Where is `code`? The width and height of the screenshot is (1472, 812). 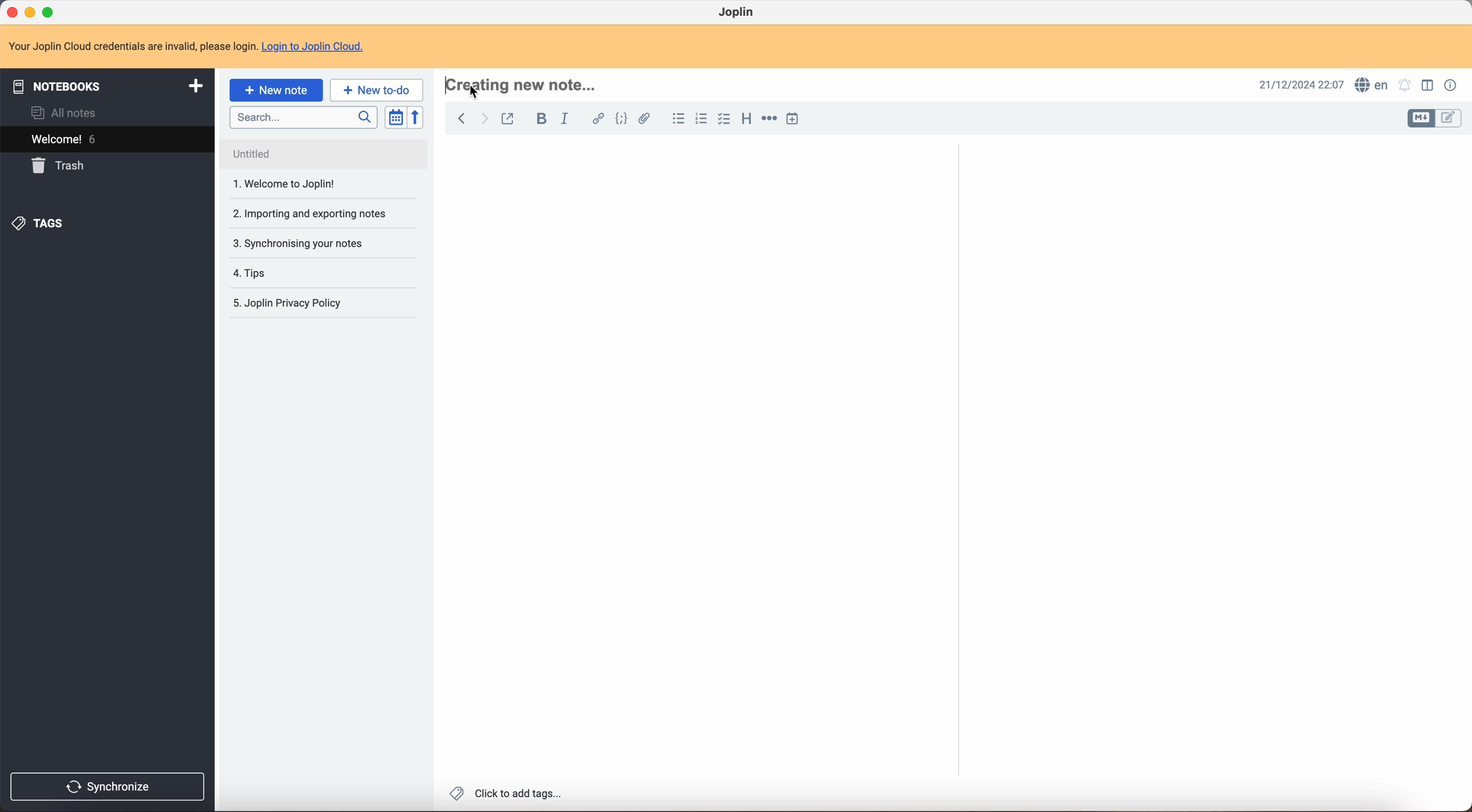
code is located at coordinates (622, 121).